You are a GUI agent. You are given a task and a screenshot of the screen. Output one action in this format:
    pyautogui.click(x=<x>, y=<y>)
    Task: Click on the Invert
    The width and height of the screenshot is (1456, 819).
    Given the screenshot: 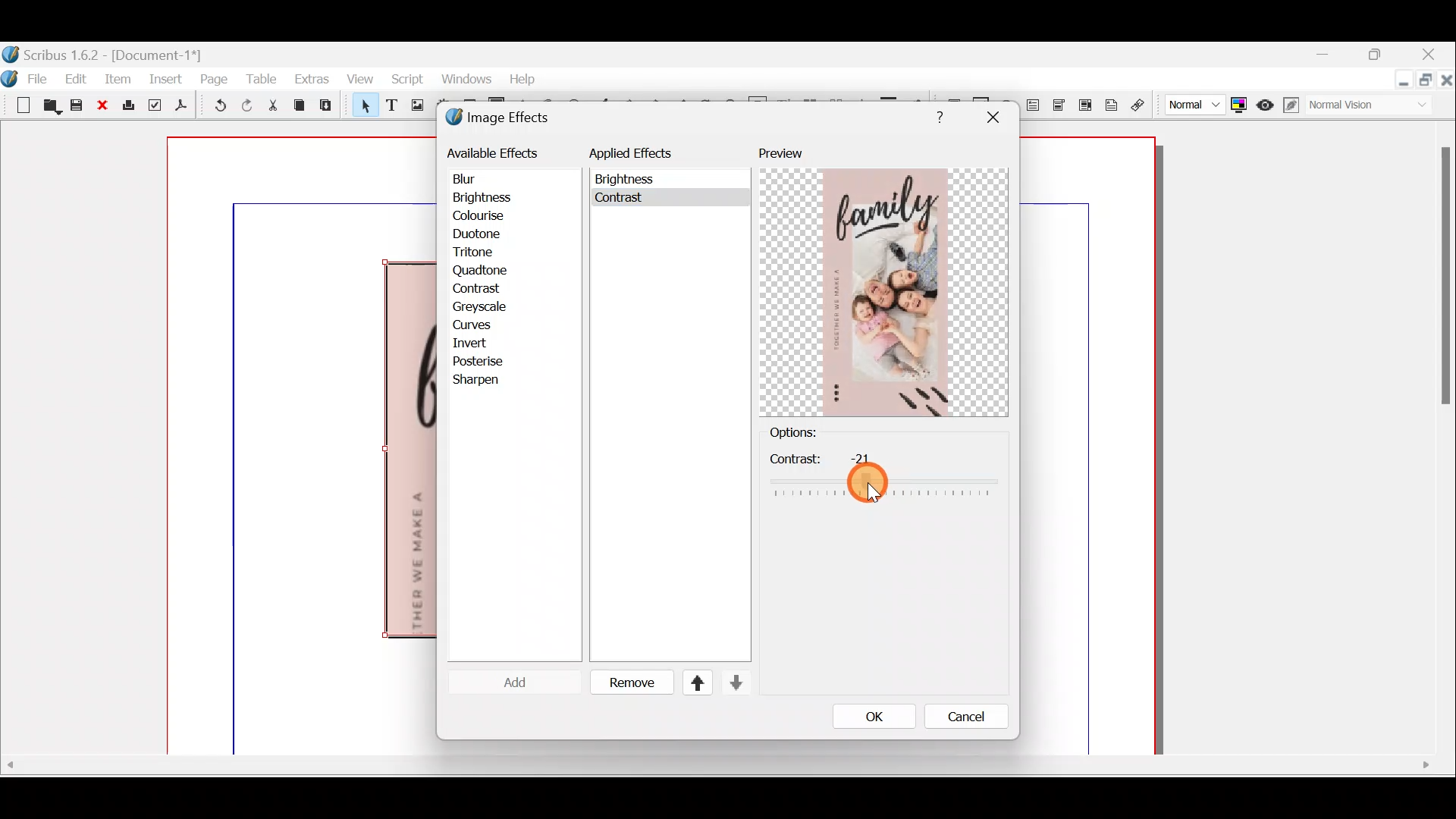 What is the action you would take?
    pyautogui.click(x=484, y=344)
    